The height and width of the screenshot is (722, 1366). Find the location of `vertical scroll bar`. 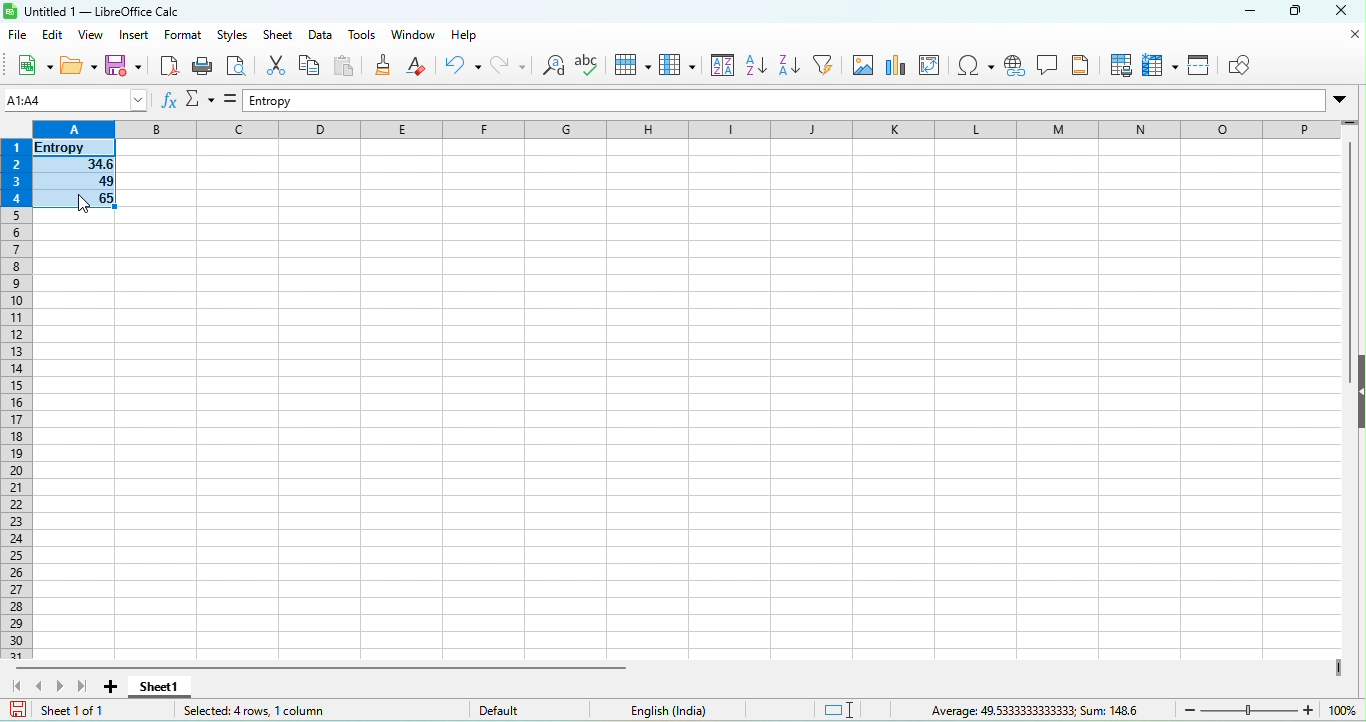

vertical scroll bar is located at coordinates (1353, 237).